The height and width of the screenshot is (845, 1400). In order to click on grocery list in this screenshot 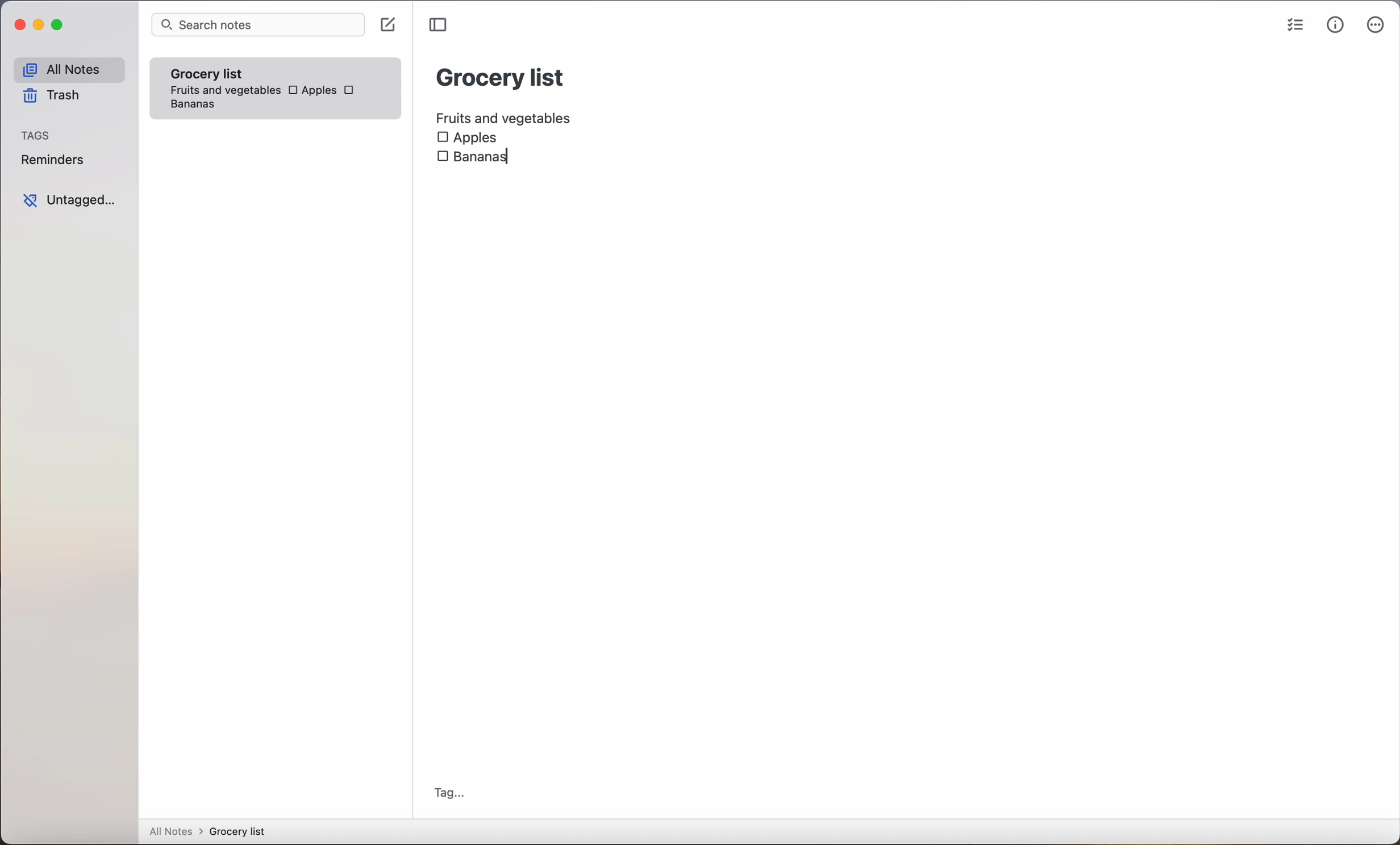, I will do `click(501, 76)`.